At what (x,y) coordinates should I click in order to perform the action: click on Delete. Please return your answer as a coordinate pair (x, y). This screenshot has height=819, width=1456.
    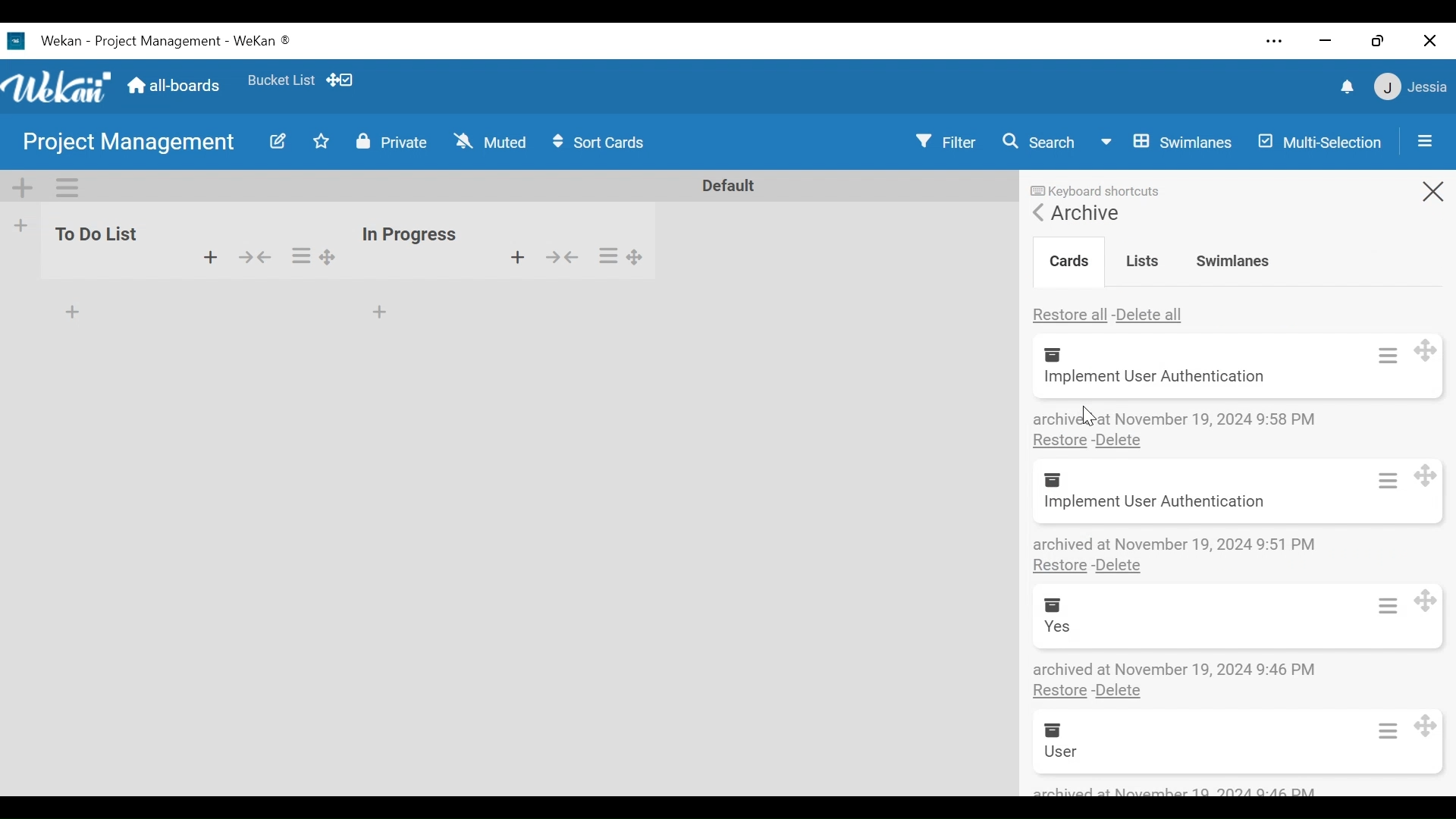
    Looking at the image, I should click on (1119, 692).